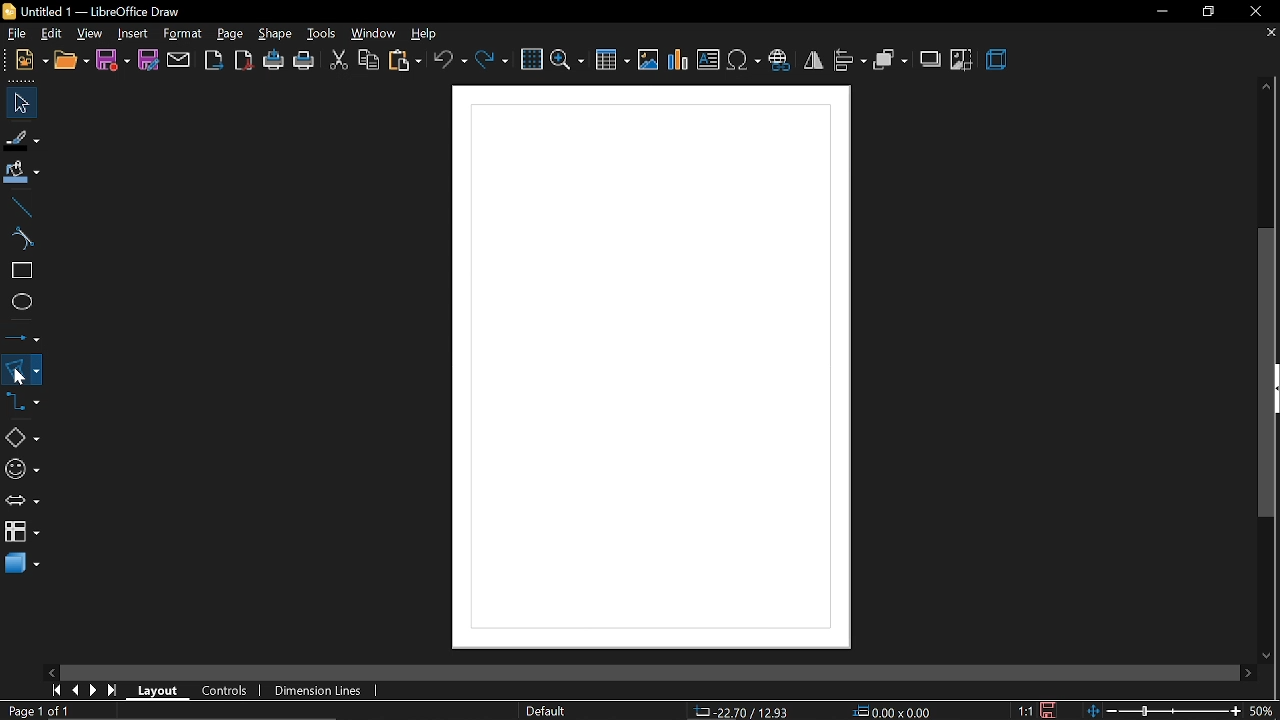 The height and width of the screenshot is (720, 1280). What do you see at coordinates (997, 60) in the screenshot?
I see `3d effect` at bounding box center [997, 60].